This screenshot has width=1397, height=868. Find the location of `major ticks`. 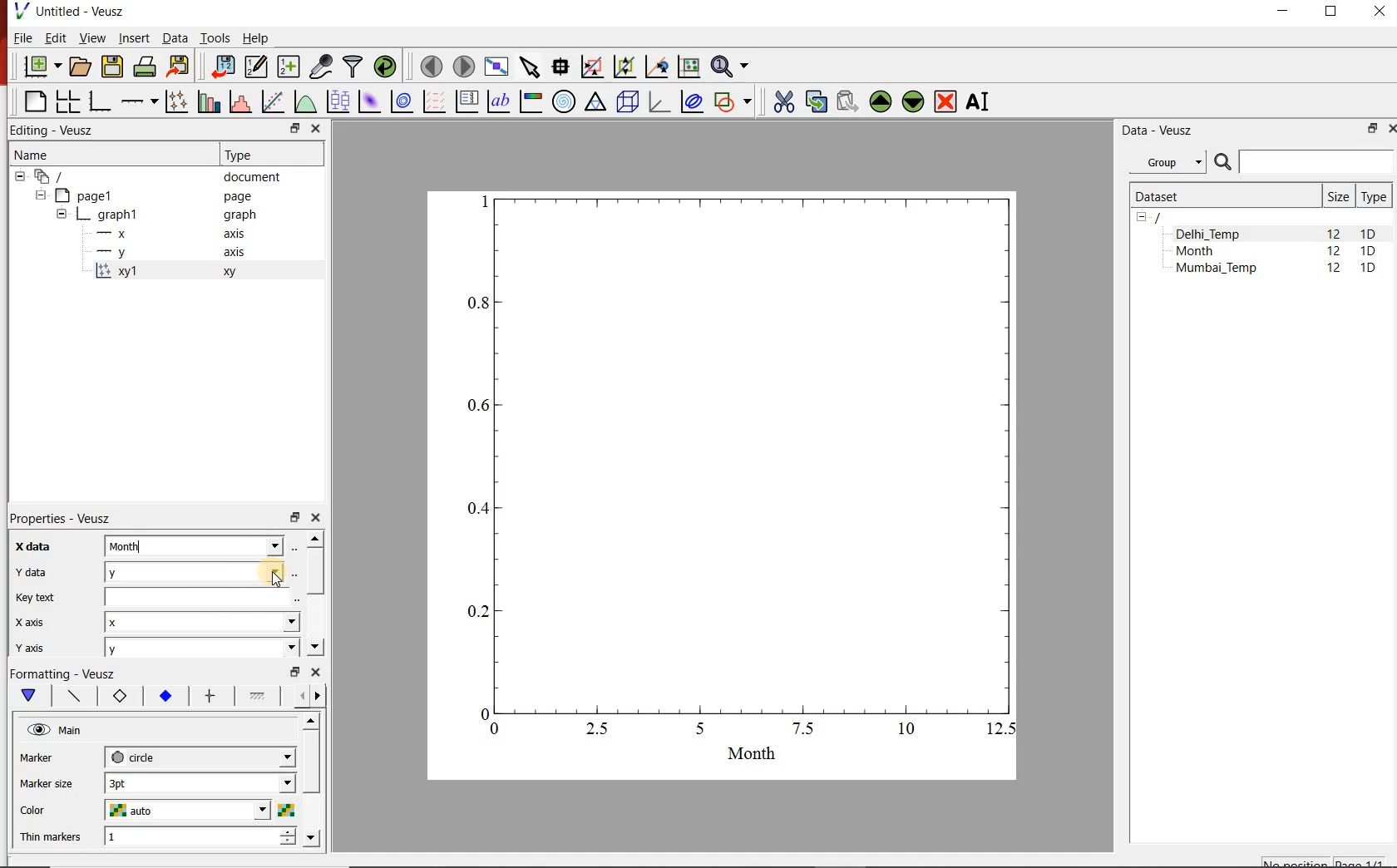

major ticks is located at coordinates (209, 696).